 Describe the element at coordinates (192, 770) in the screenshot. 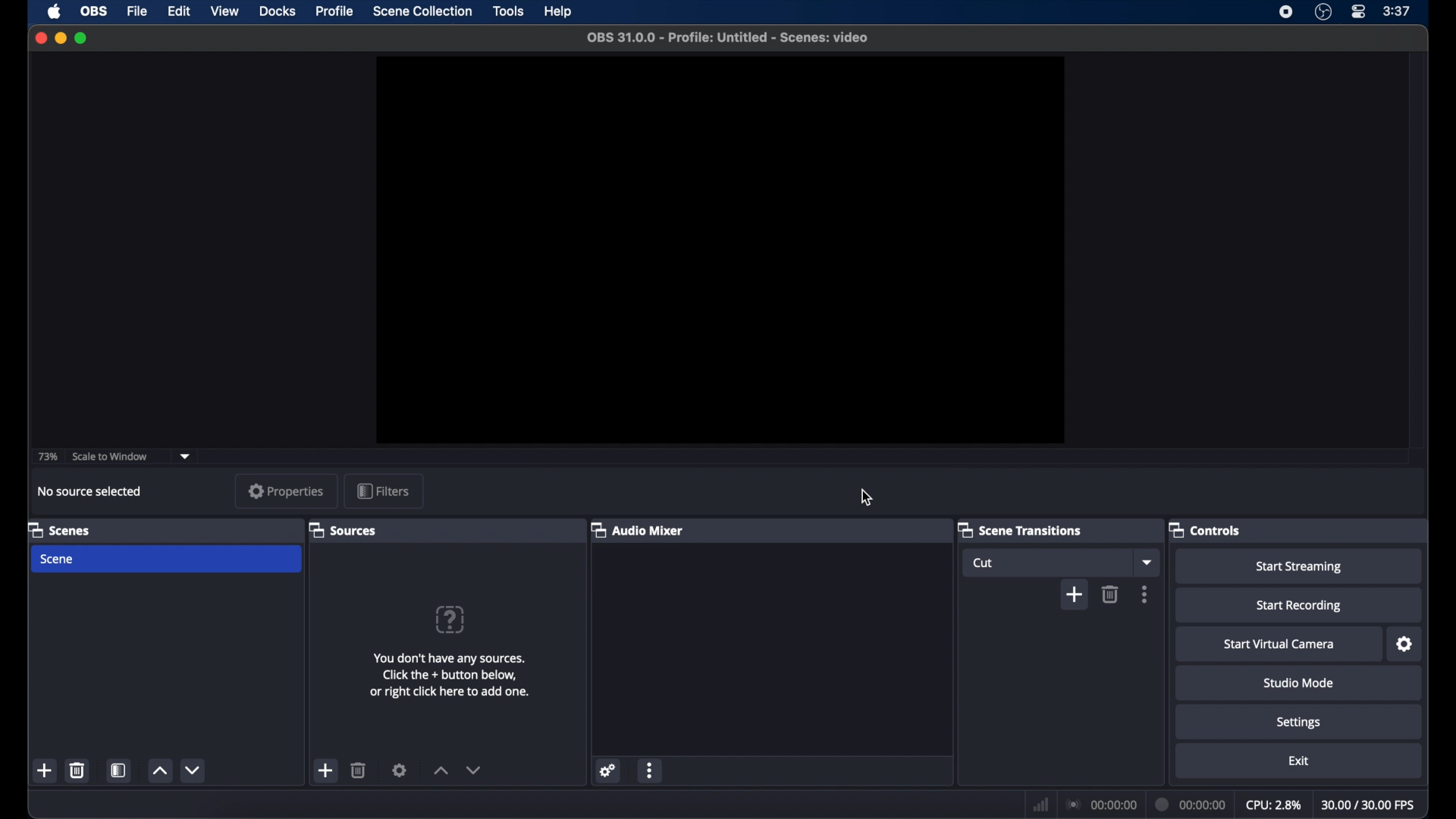

I see `decrement` at that location.